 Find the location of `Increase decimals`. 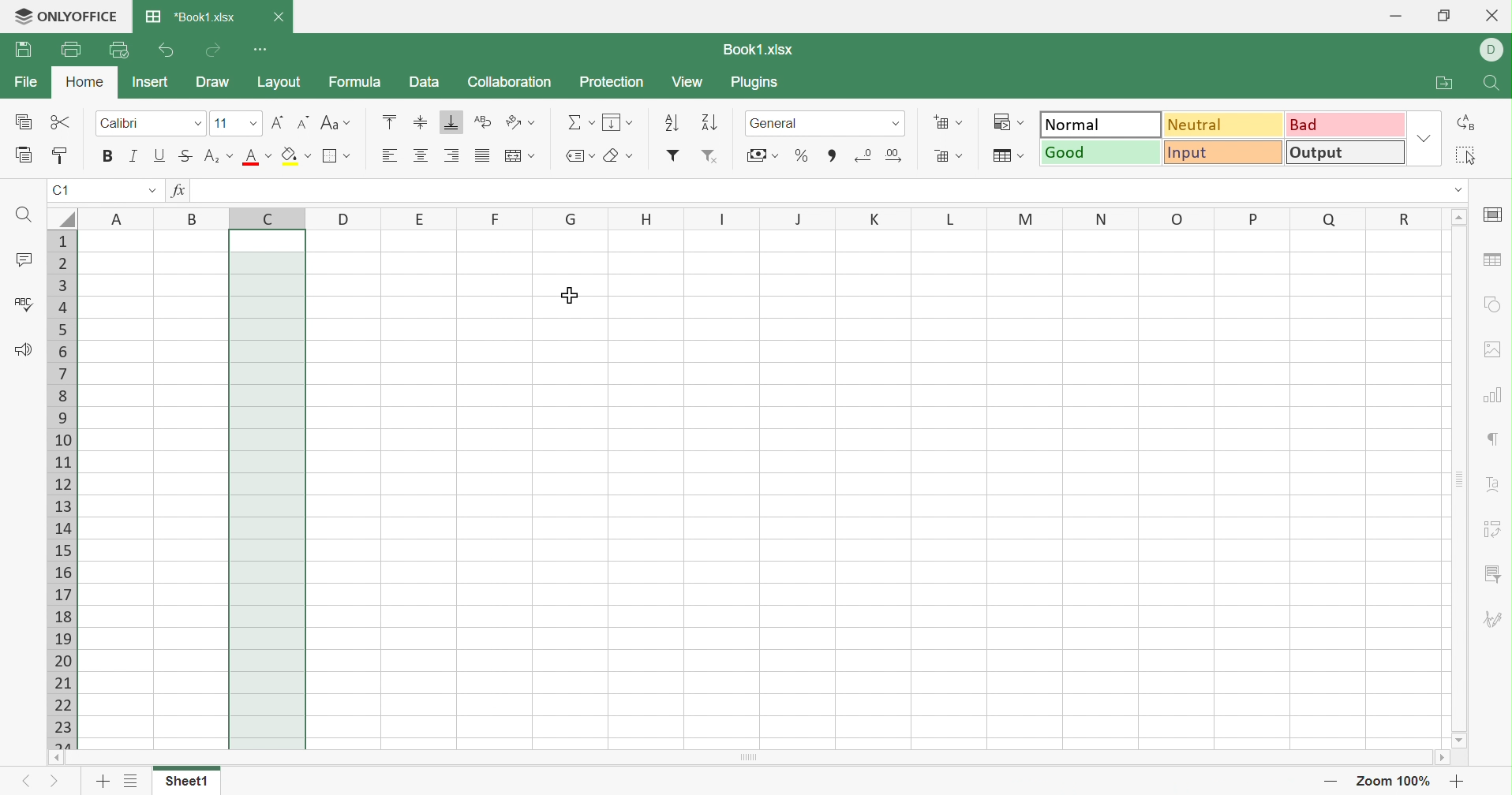

Increase decimals is located at coordinates (895, 155).